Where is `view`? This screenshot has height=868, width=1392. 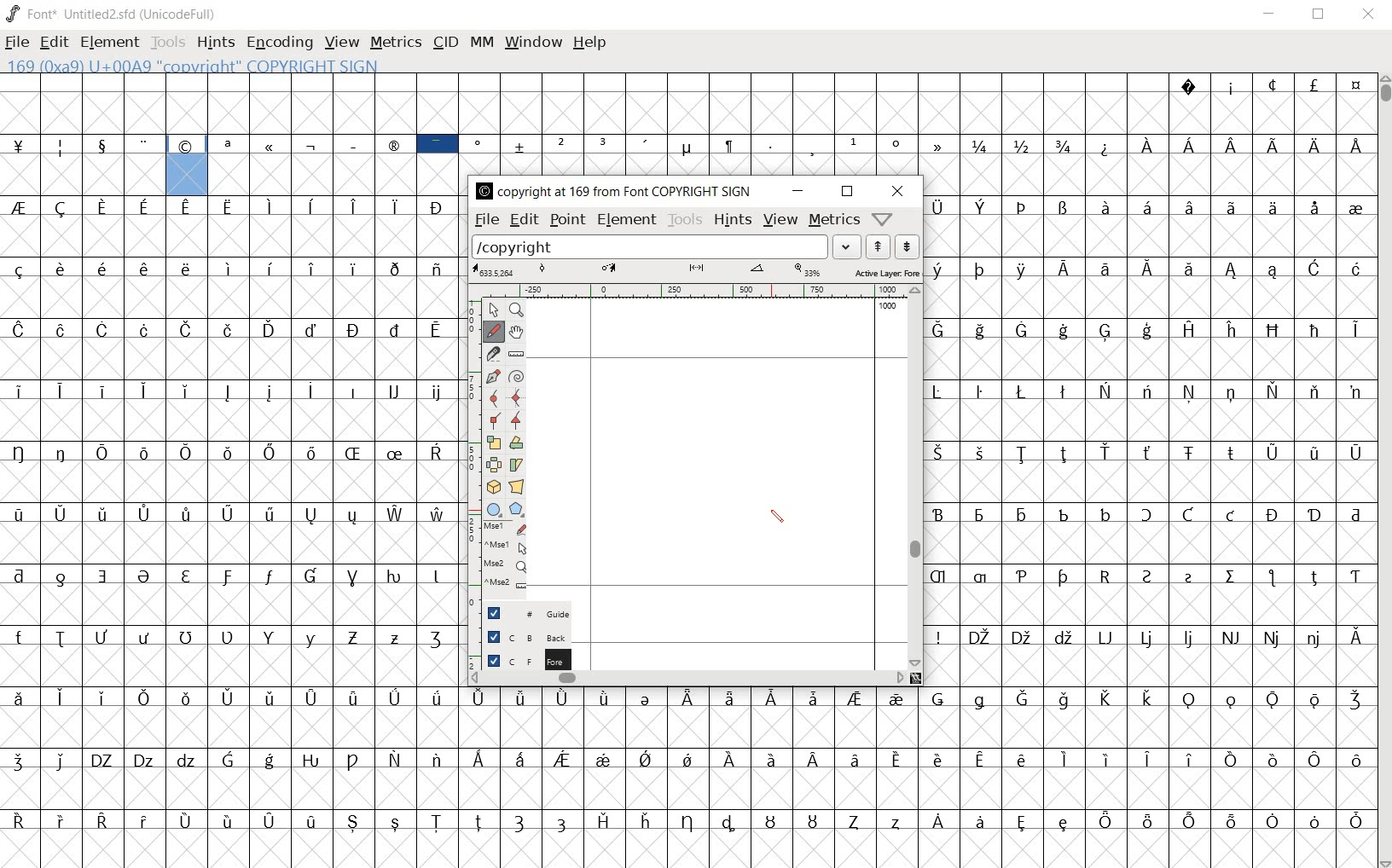 view is located at coordinates (342, 43).